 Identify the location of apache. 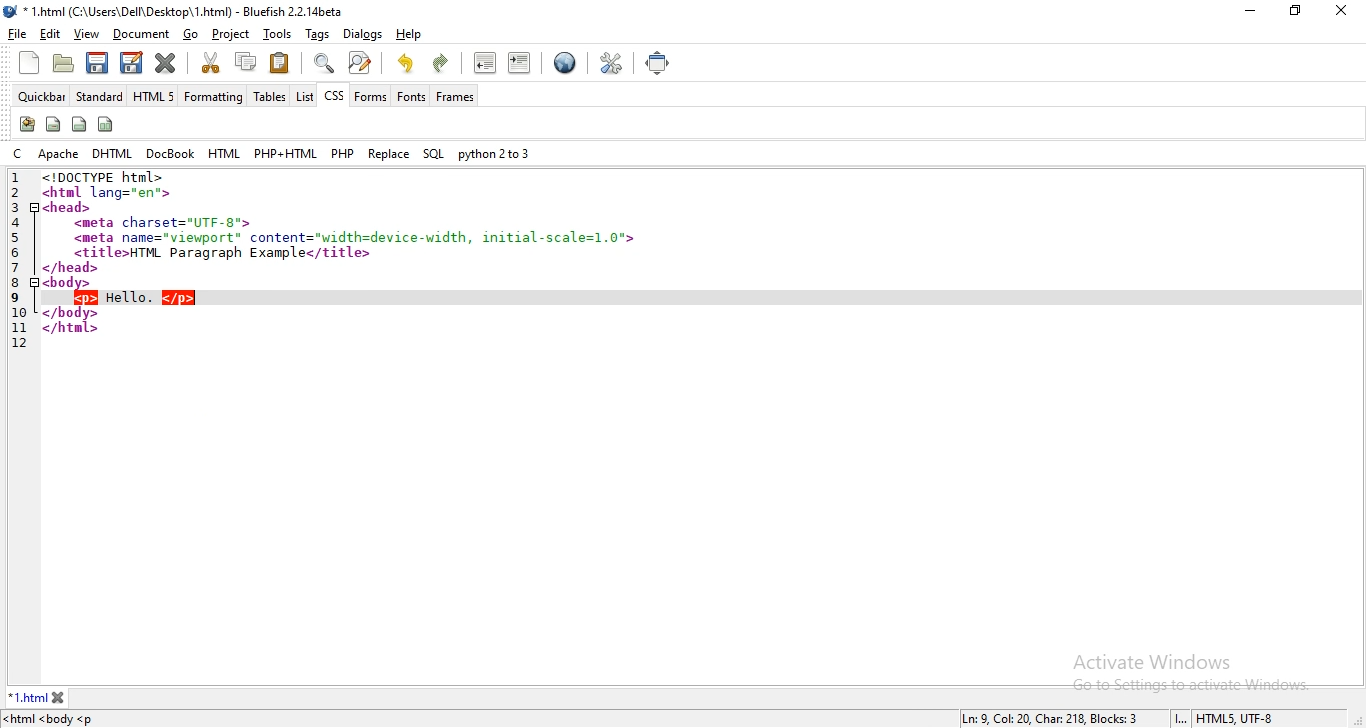
(58, 153).